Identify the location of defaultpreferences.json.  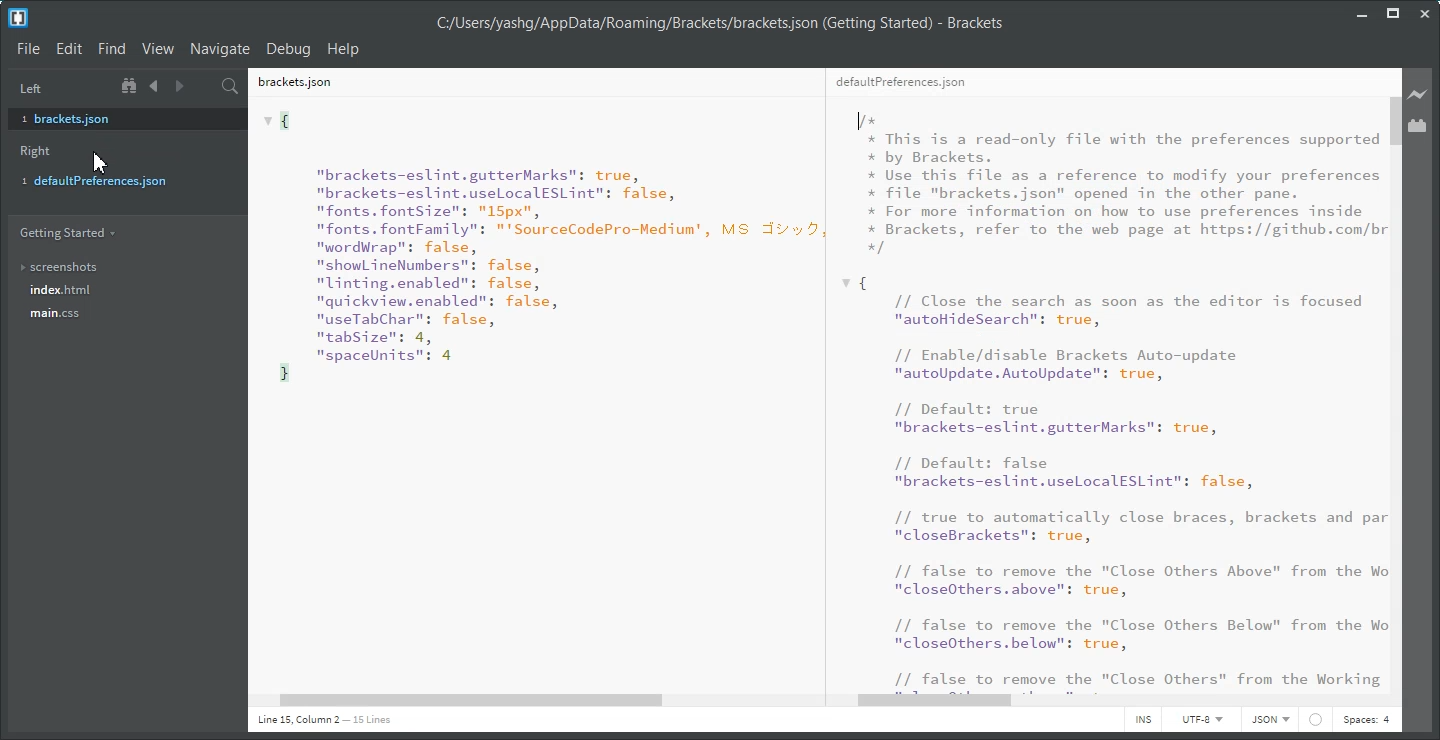
(124, 182).